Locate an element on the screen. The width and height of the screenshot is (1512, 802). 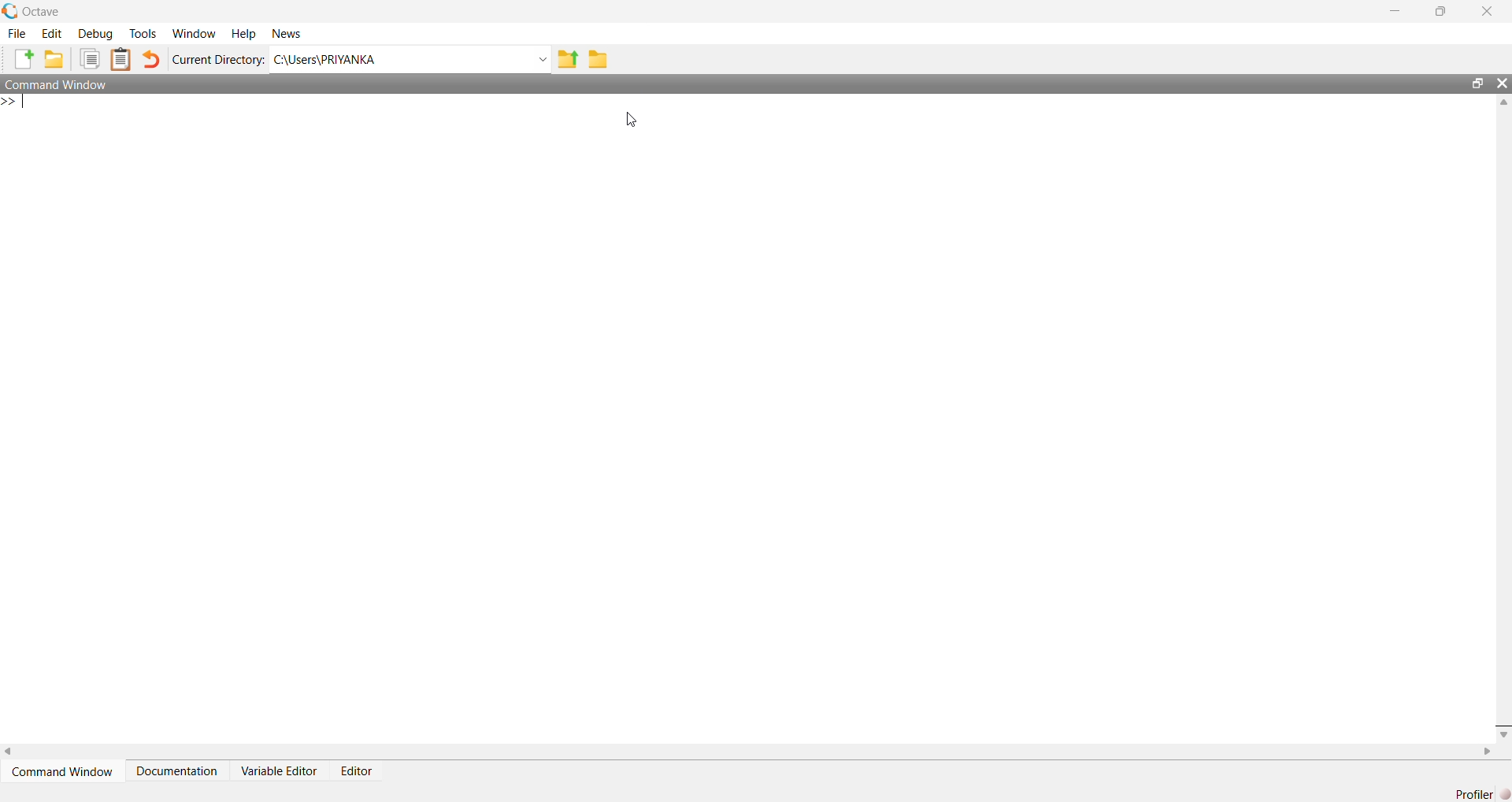
revert is located at coordinates (151, 61).